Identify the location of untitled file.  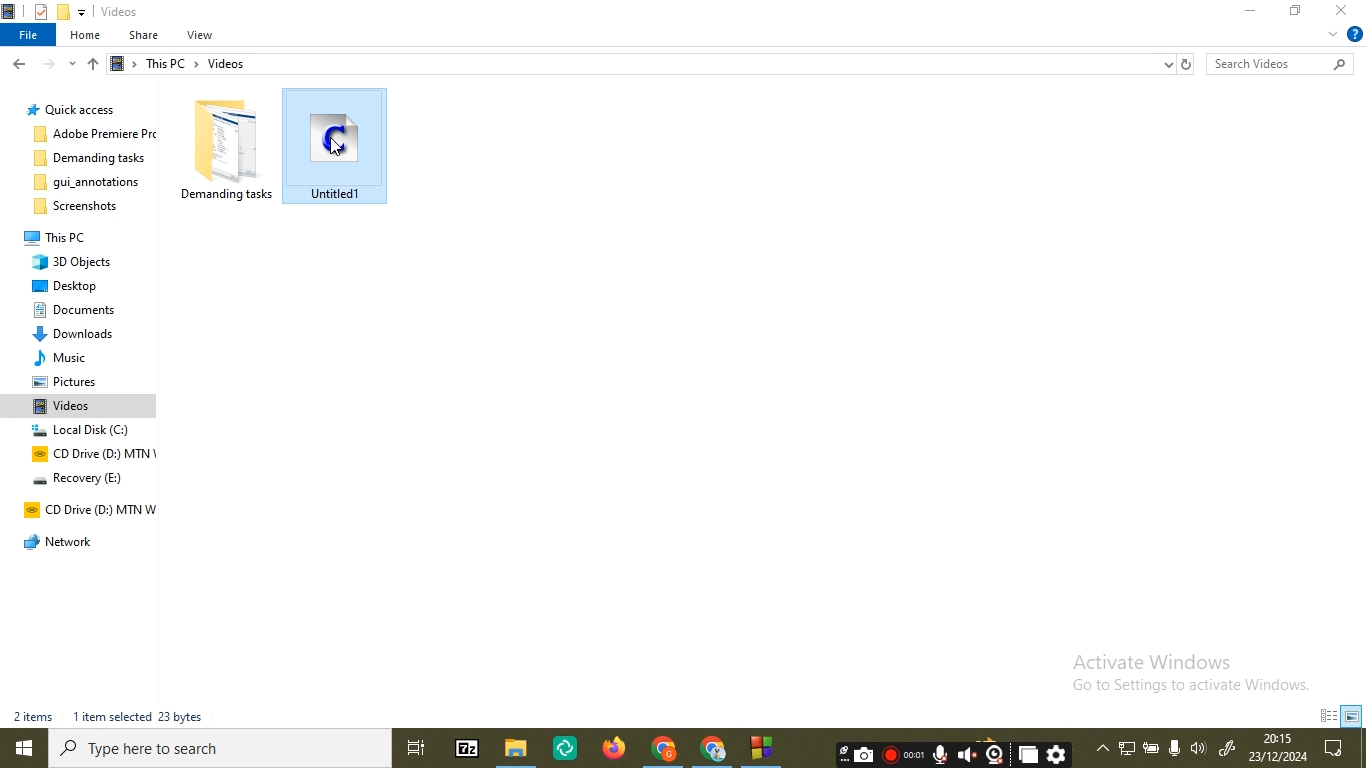
(337, 149).